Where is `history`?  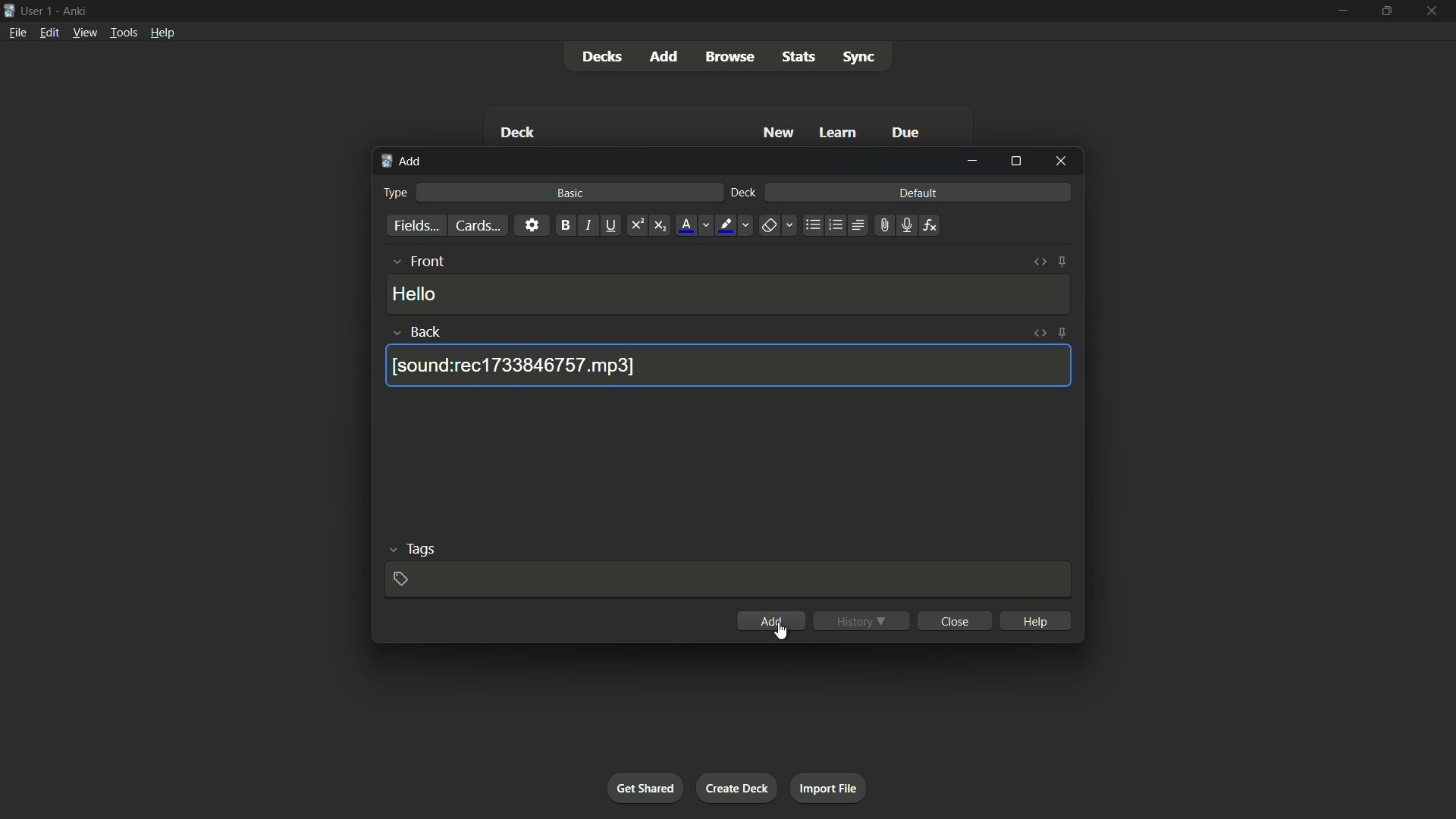 history is located at coordinates (863, 619).